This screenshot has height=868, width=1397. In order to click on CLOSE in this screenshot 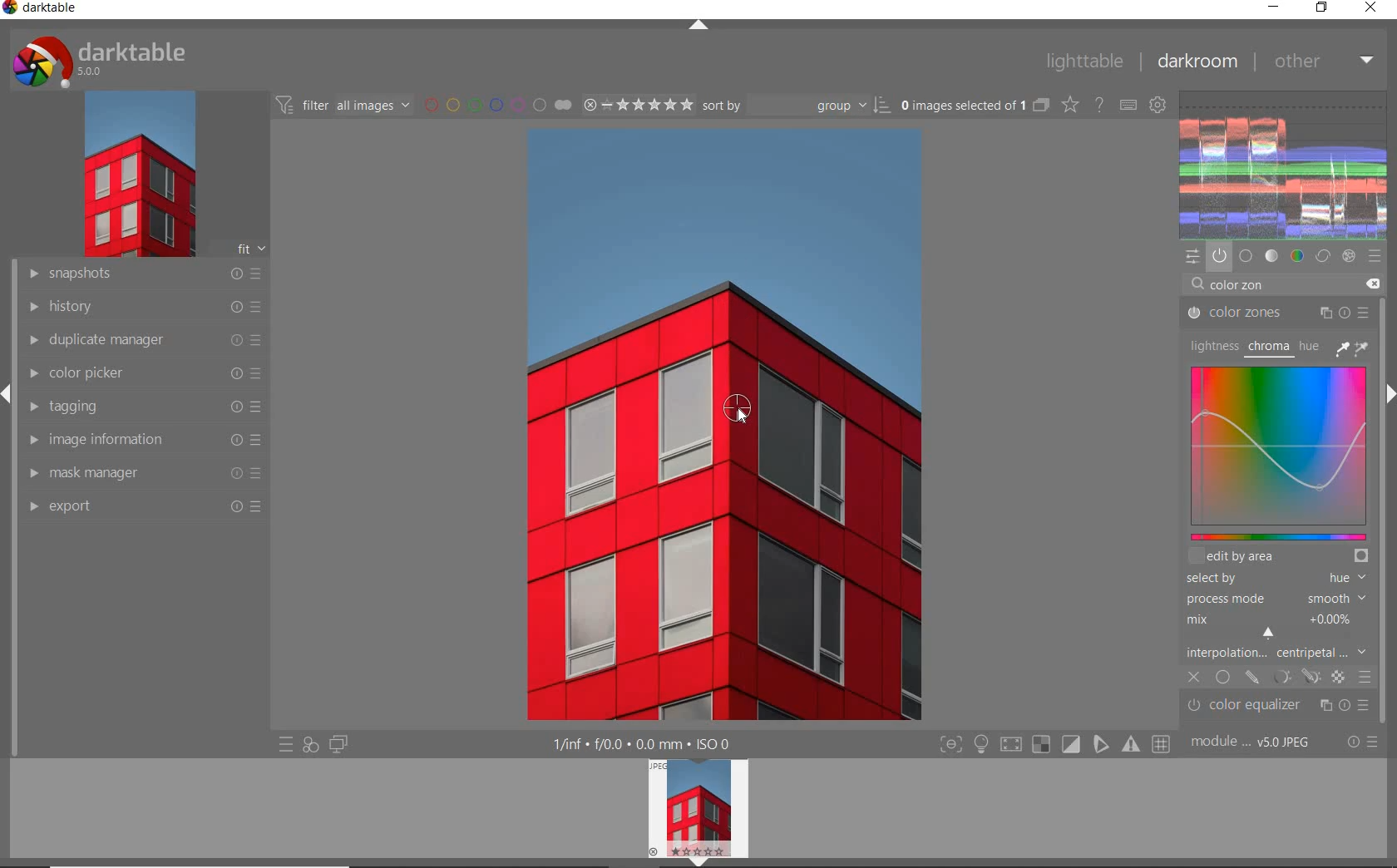, I will do `click(1194, 678)`.